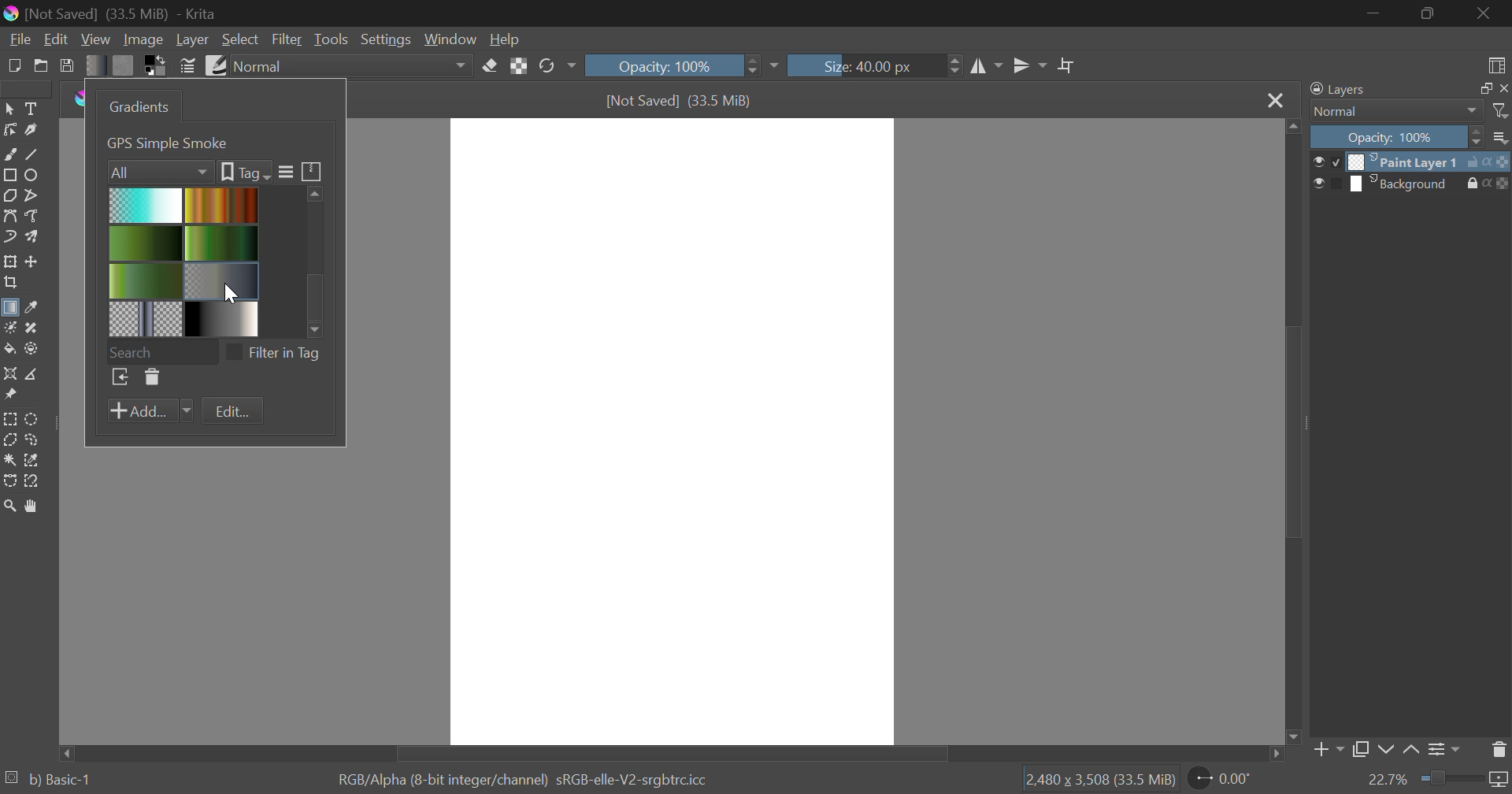 Image resolution: width=1512 pixels, height=794 pixels. Describe the element at coordinates (161, 170) in the screenshot. I see `All` at that location.